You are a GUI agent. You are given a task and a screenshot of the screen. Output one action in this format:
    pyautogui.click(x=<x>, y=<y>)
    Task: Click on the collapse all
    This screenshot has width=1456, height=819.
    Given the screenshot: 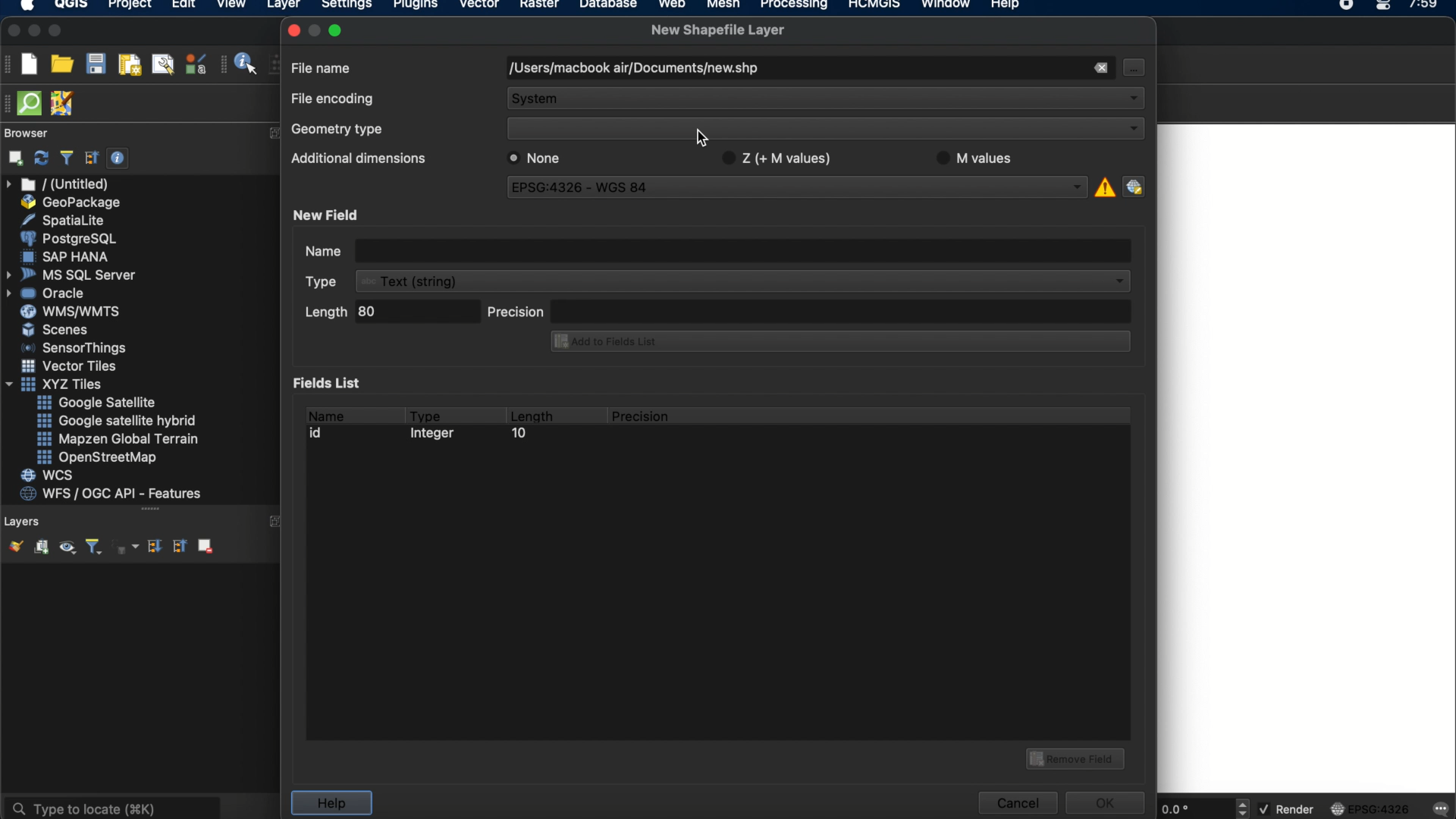 What is the action you would take?
    pyautogui.click(x=92, y=158)
    